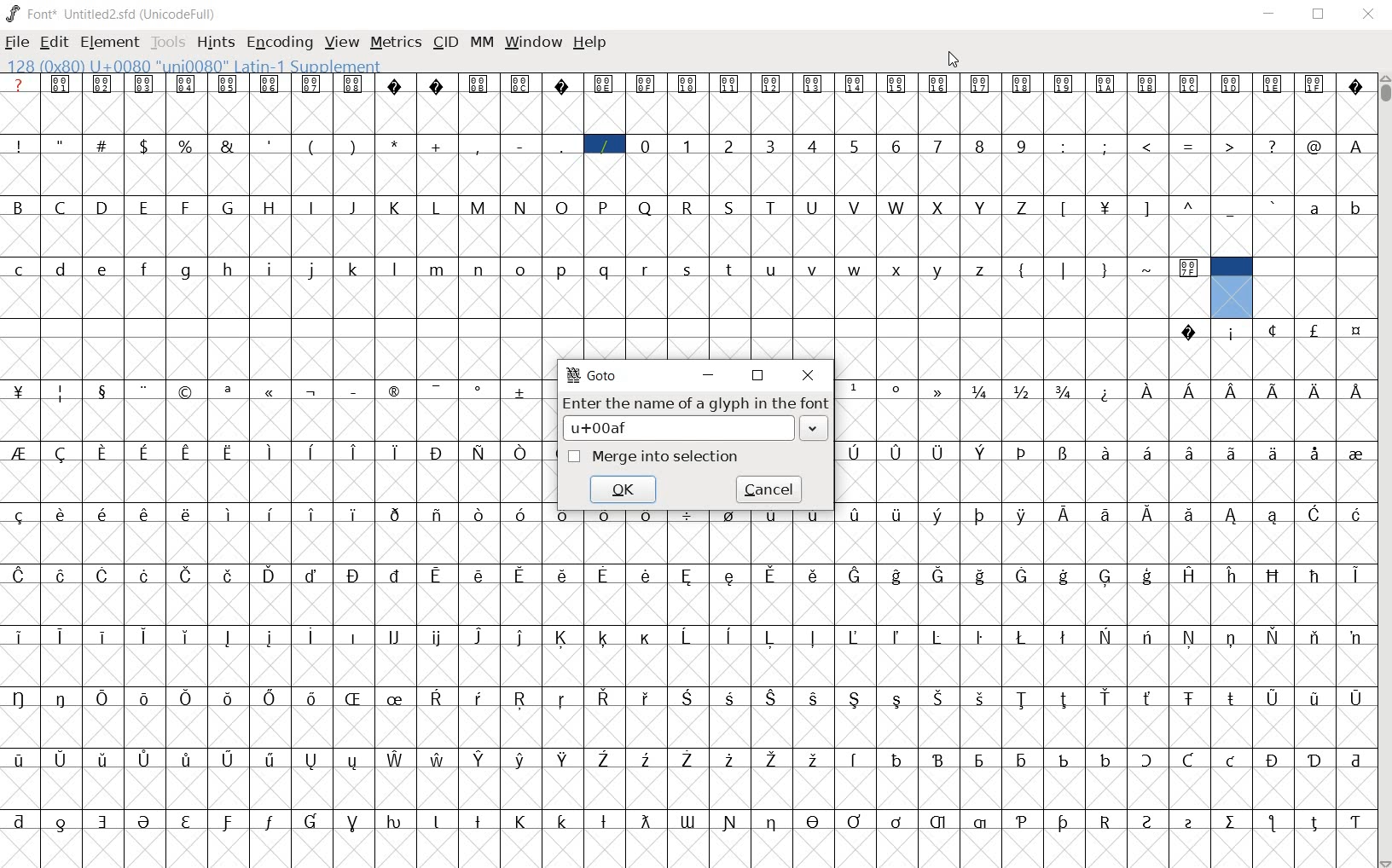  I want to click on Symbol, so click(478, 452).